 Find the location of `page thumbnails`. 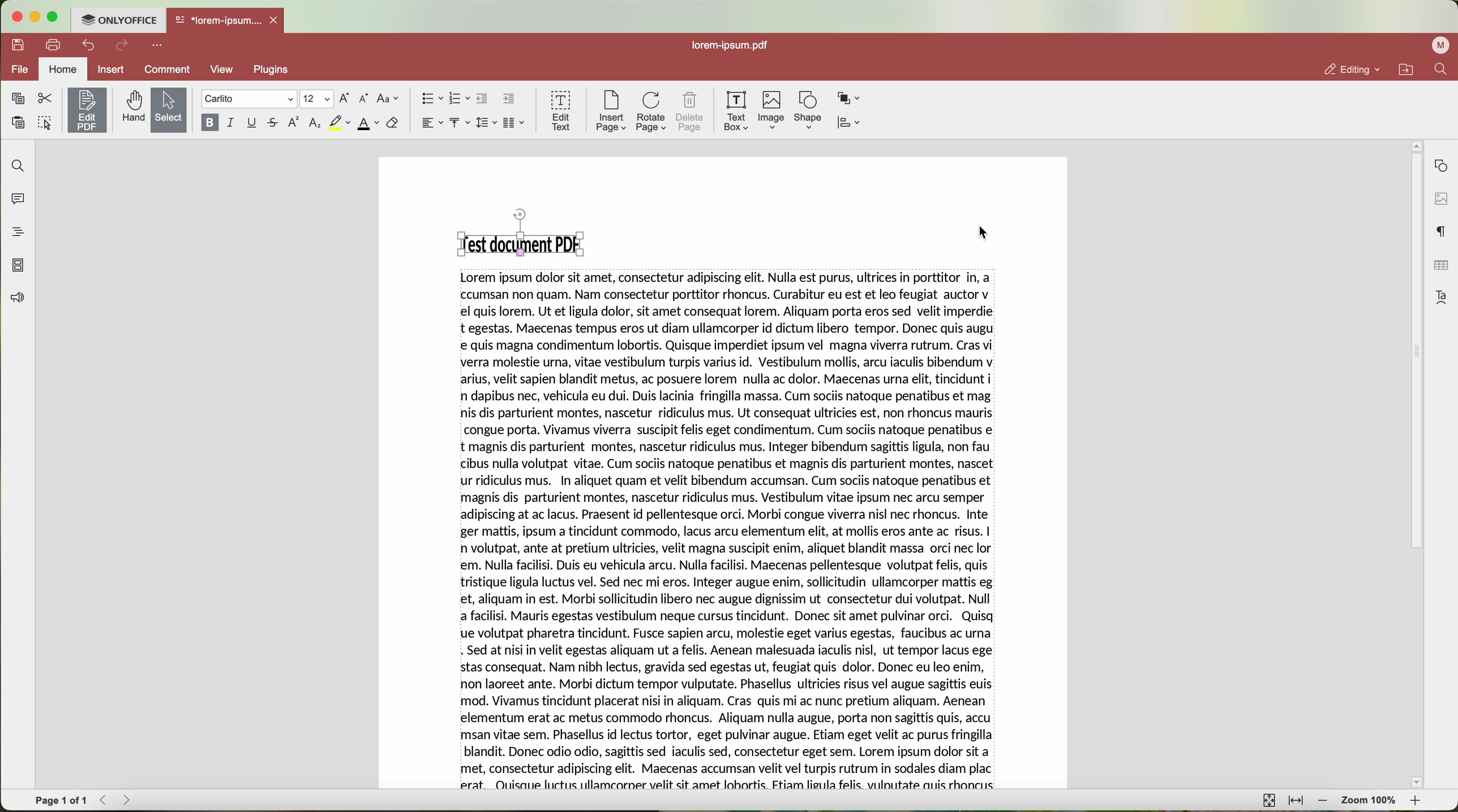

page thumbnails is located at coordinates (19, 266).